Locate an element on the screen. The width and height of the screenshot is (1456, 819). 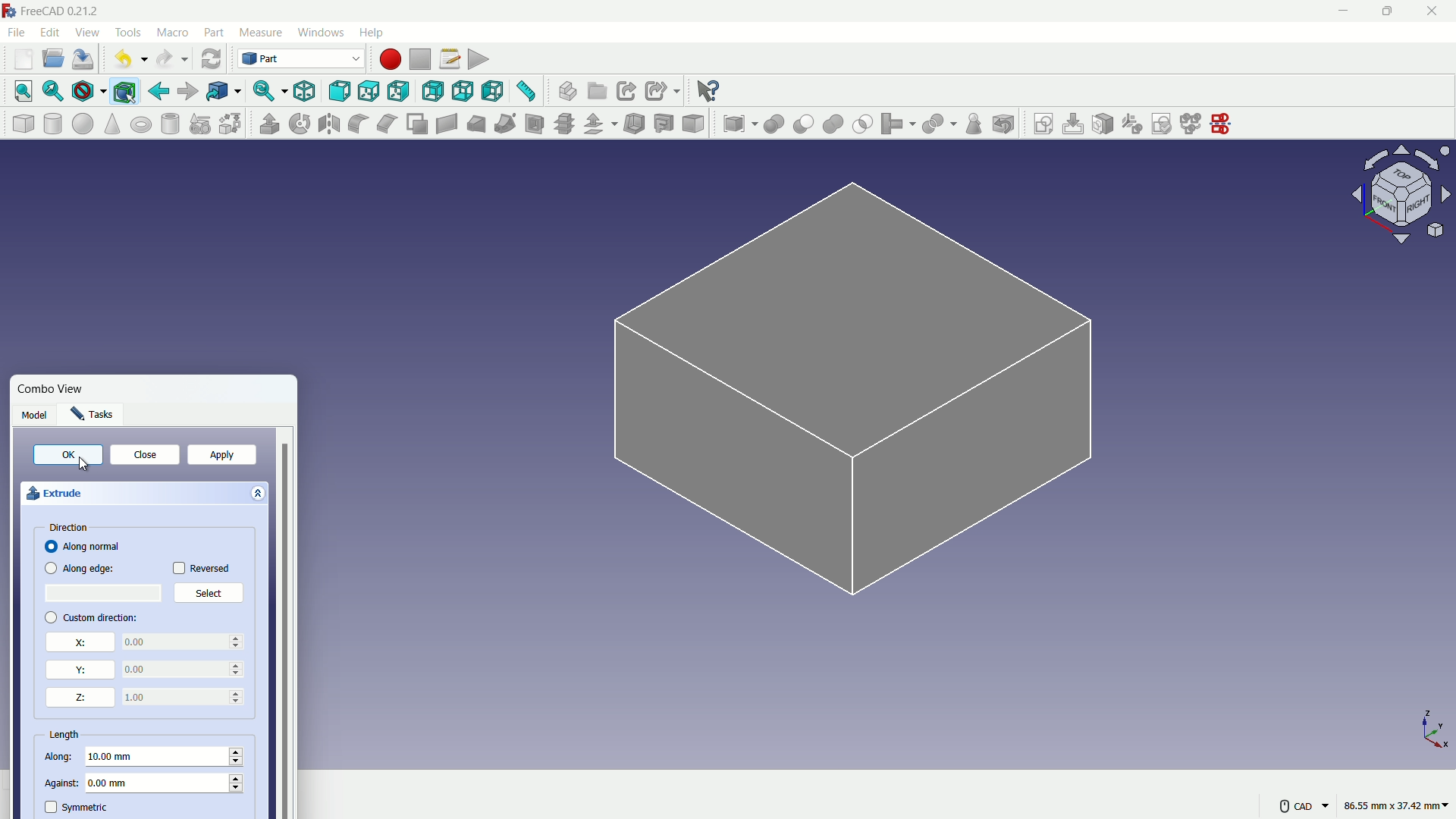
file is located at coordinates (17, 33).